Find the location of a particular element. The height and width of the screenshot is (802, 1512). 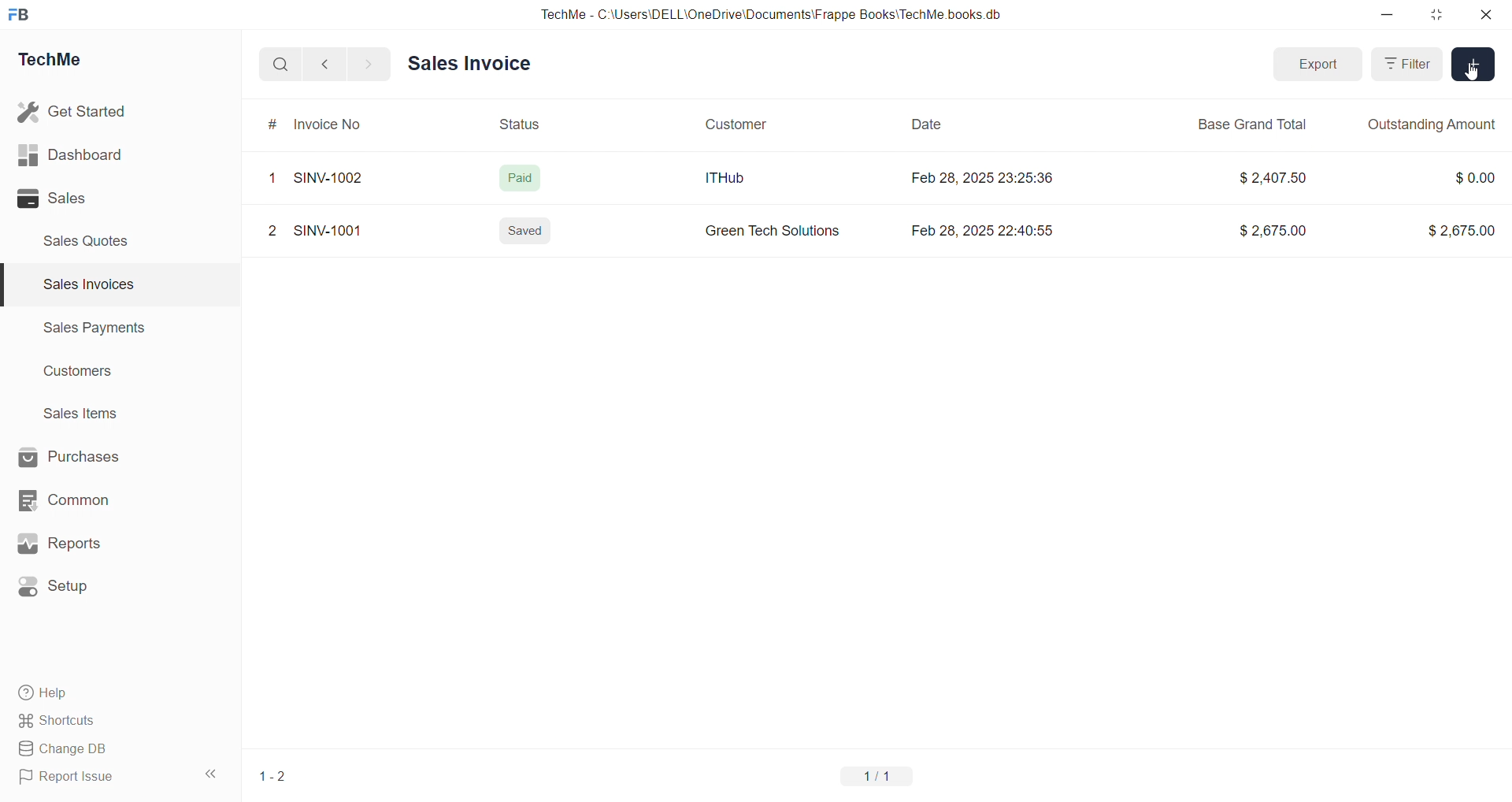

TechMe - C-\Users\DELL\OneDrive\Documents\Frappe Books'TechMe books db is located at coordinates (787, 12).